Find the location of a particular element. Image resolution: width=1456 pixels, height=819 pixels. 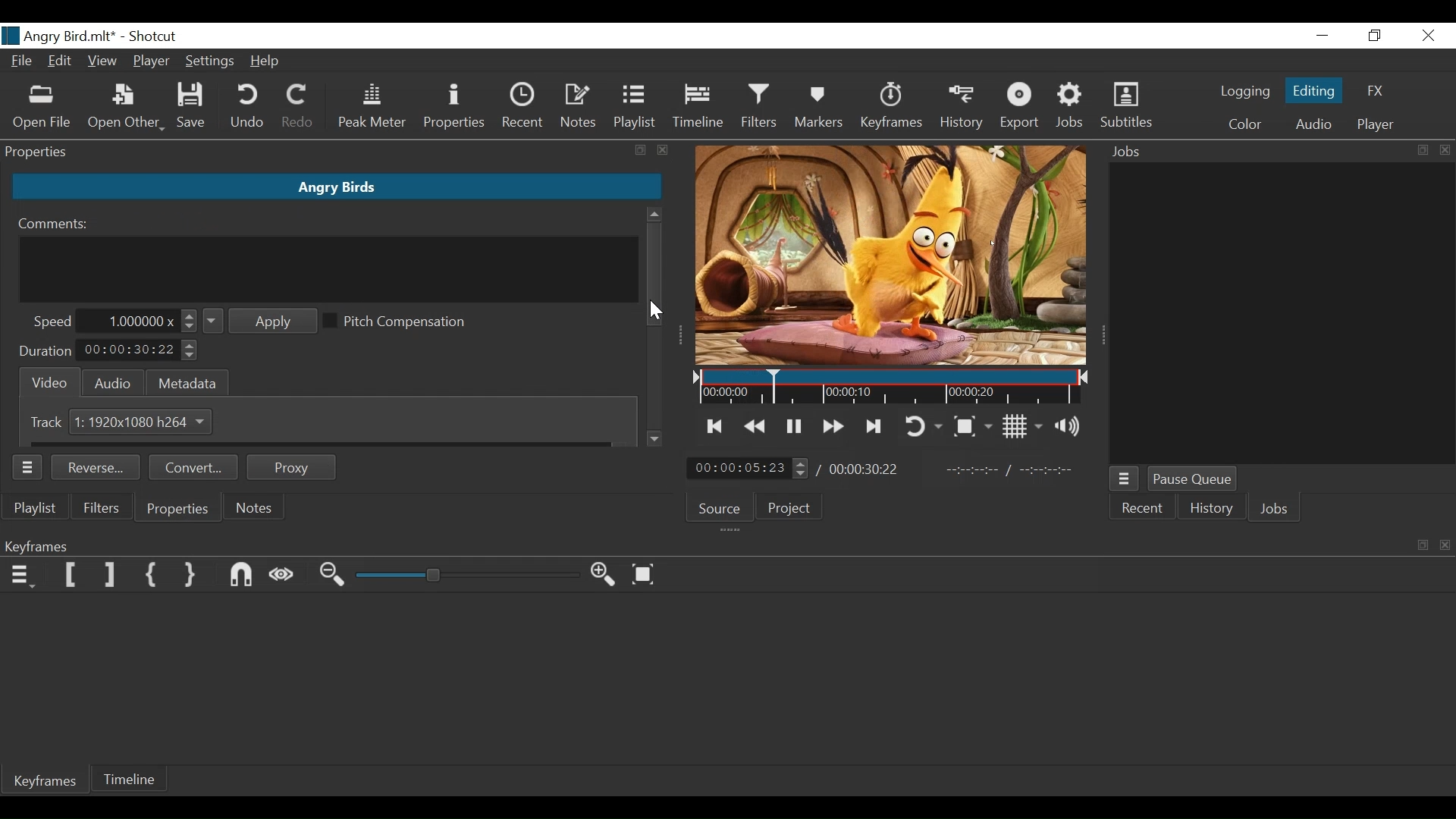

Shotcut is located at coordinates (156, 37).